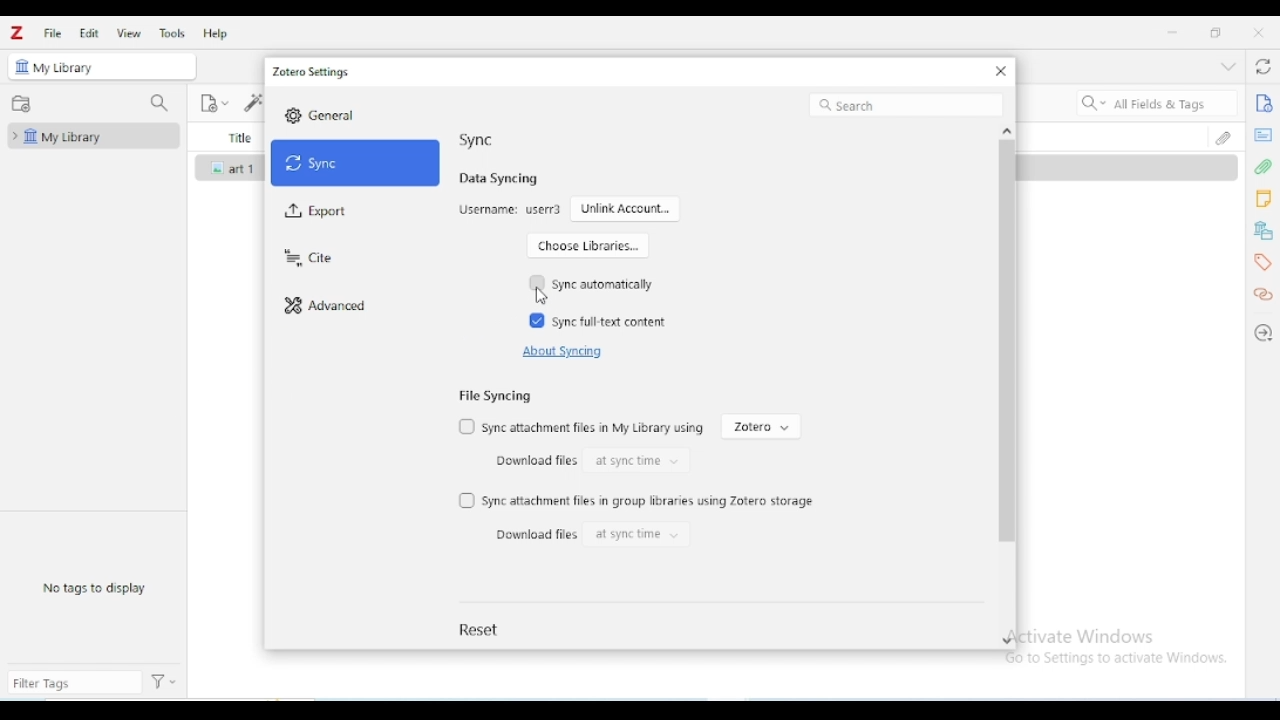  Describe the element at coordinates (74, 682) in the screenshot. I see `filter tags` at that location.